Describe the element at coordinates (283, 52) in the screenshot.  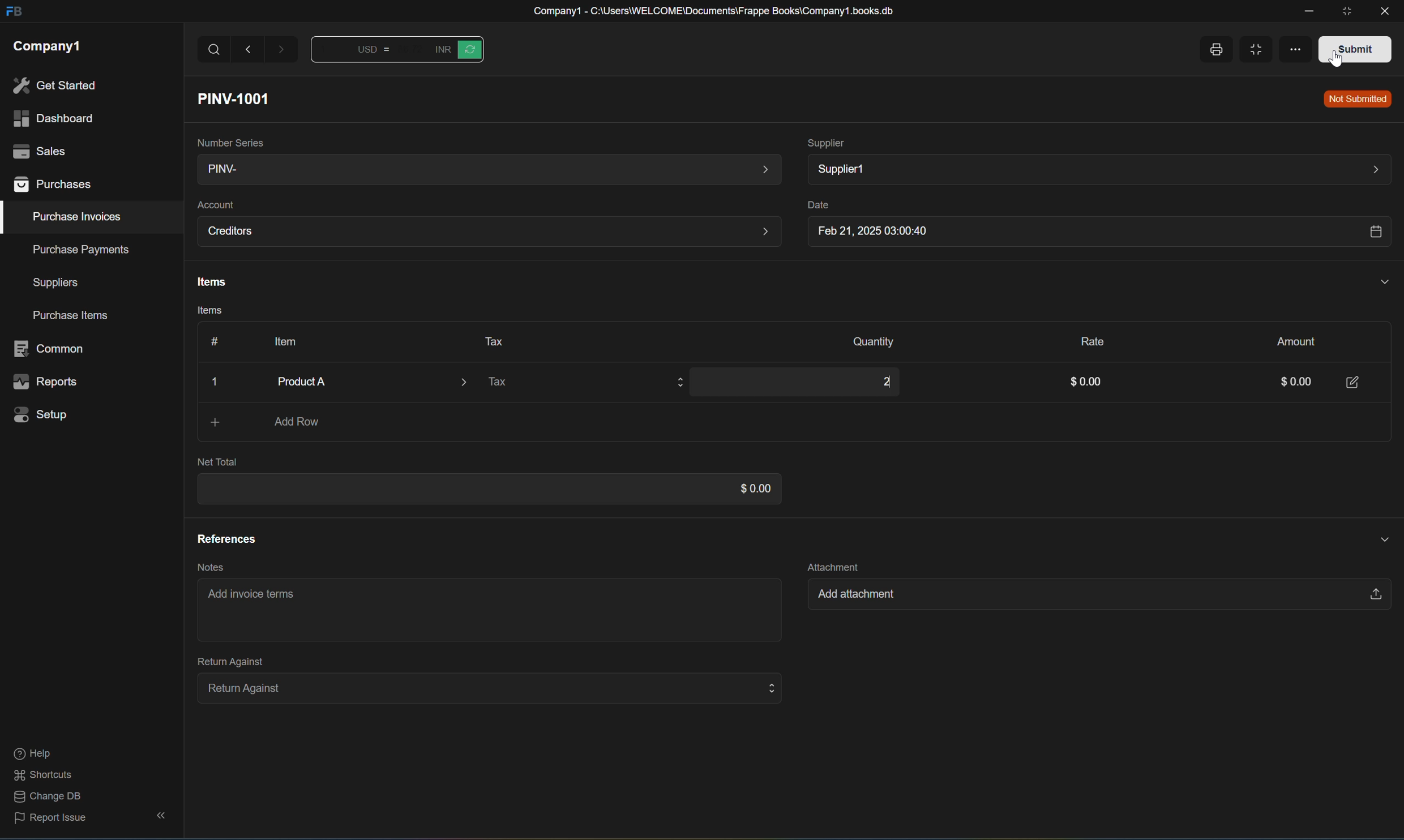
I see `Forward` at that location.